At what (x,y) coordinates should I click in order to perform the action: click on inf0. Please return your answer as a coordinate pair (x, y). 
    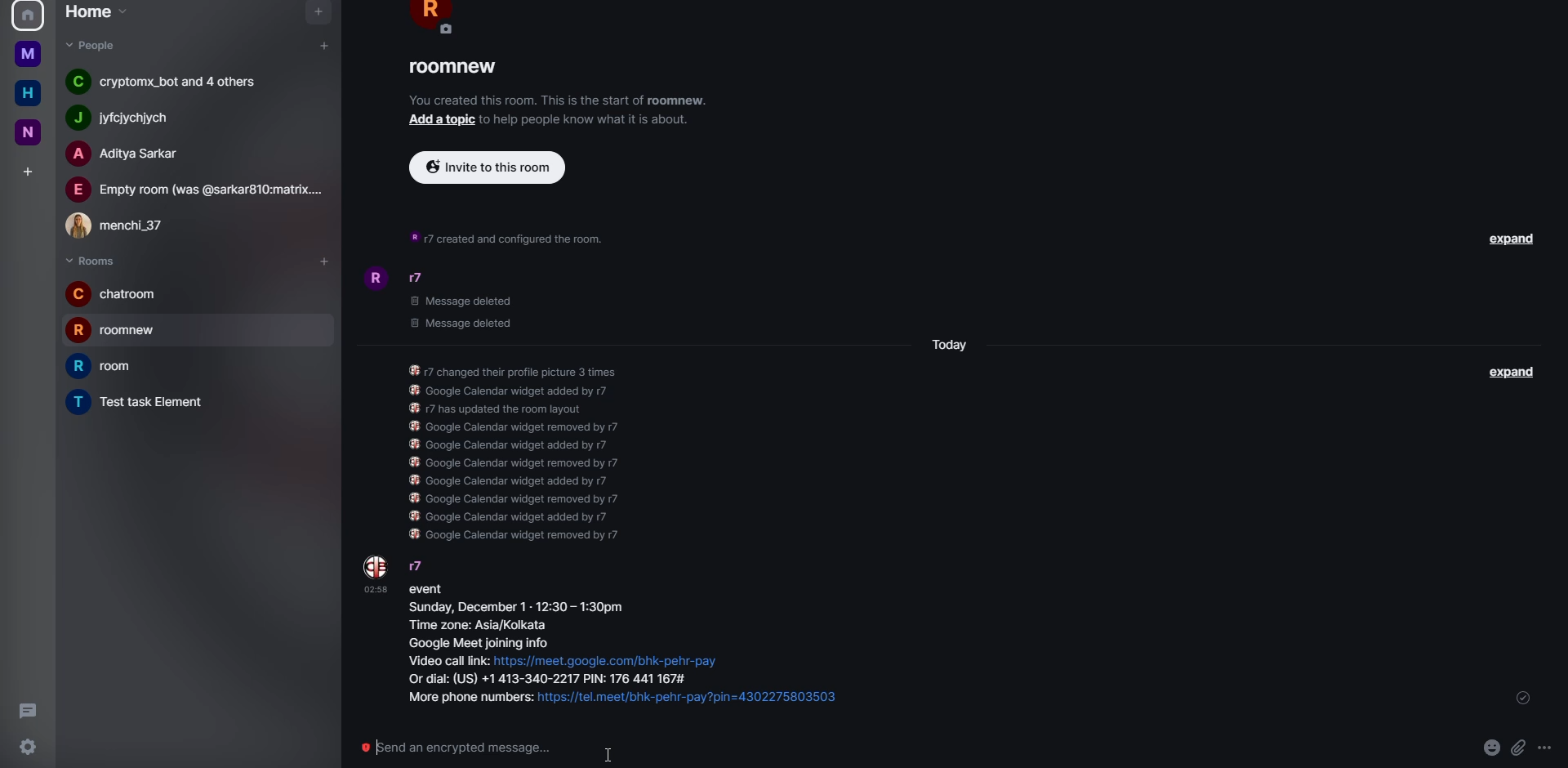
    Looking at the image, I should click on (918, 23).